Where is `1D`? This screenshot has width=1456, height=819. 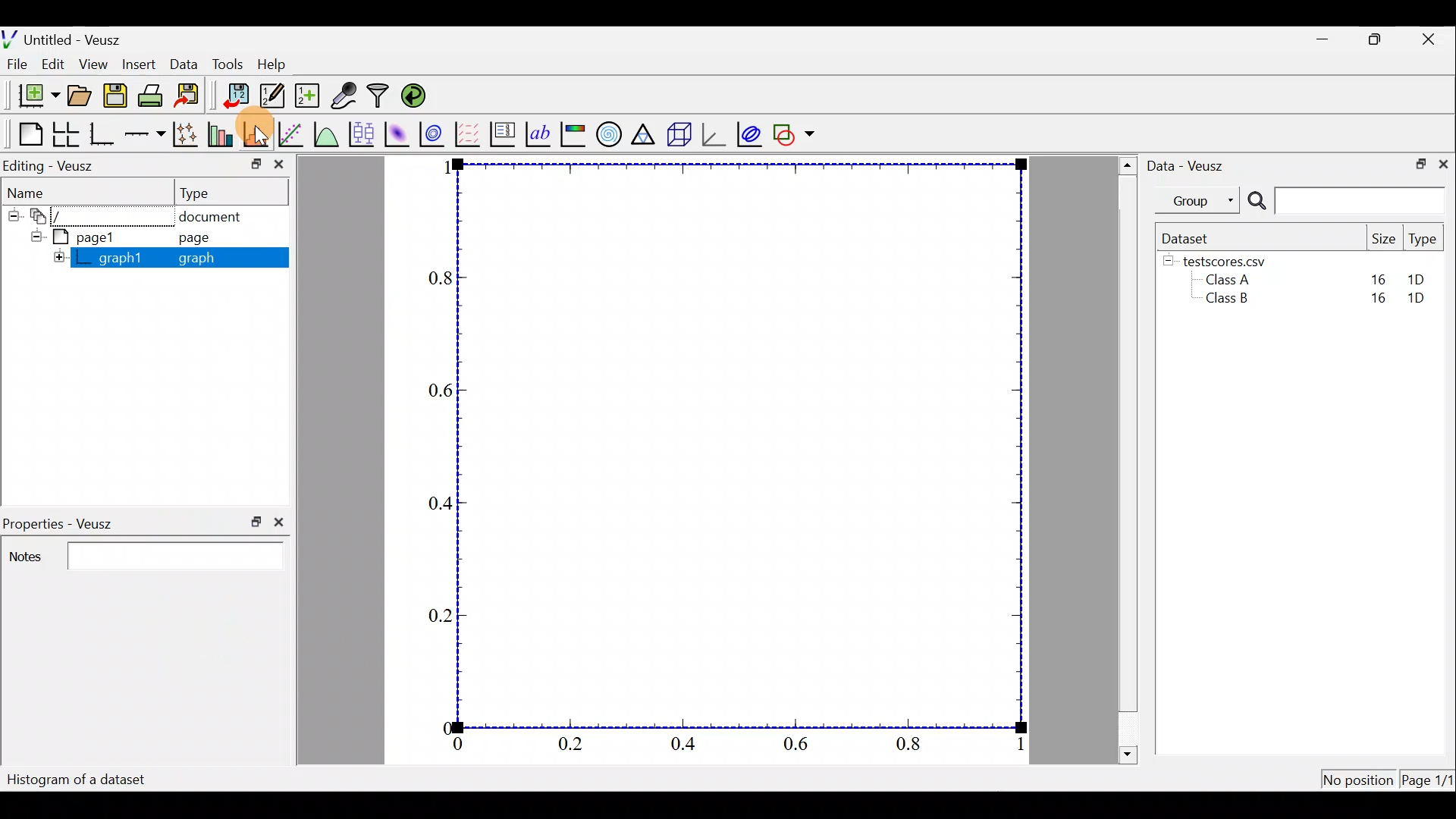 1D is located at coordinates (1423, 300).